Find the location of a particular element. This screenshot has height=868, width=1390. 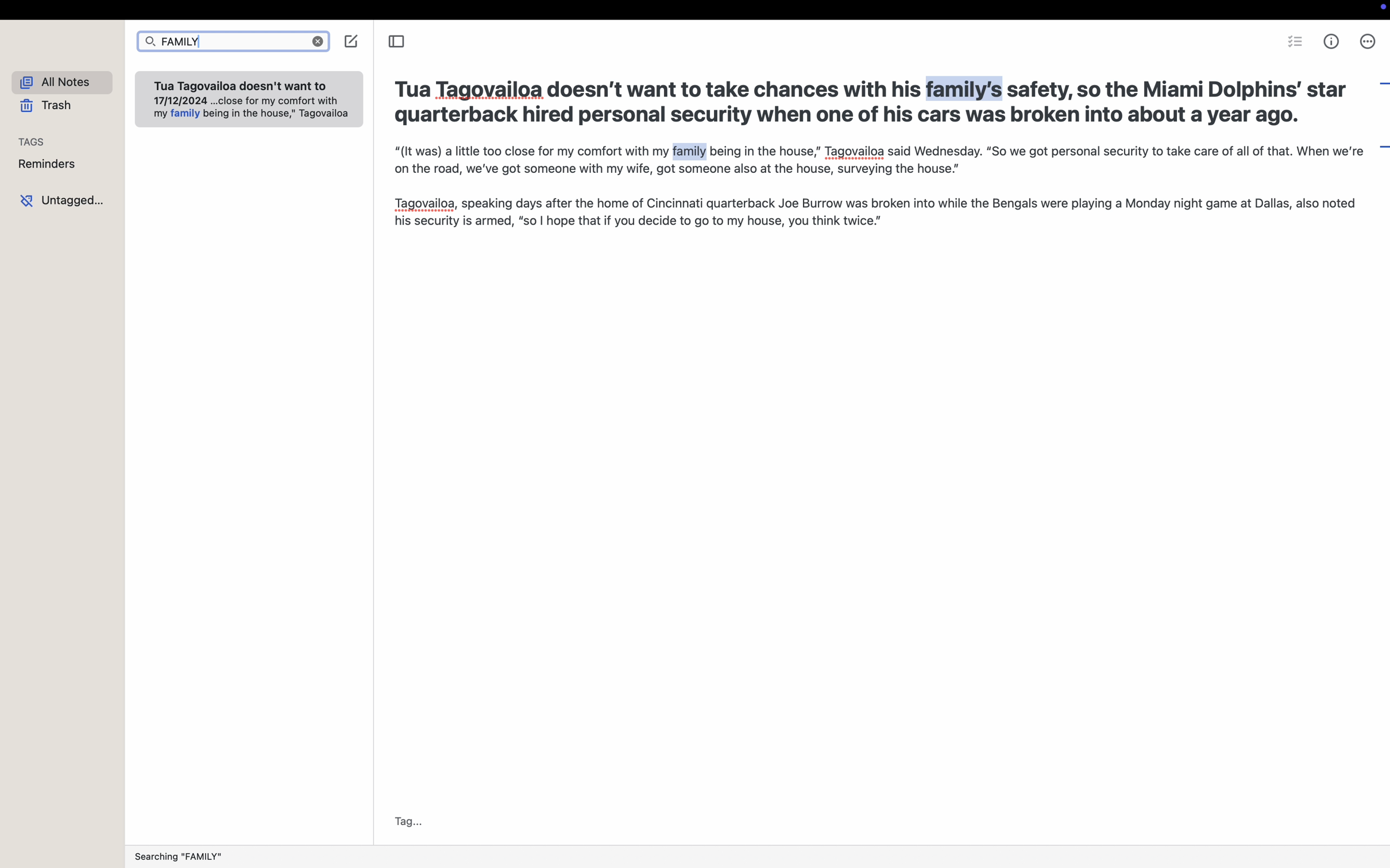

trash is located at coordinates (48, 106).